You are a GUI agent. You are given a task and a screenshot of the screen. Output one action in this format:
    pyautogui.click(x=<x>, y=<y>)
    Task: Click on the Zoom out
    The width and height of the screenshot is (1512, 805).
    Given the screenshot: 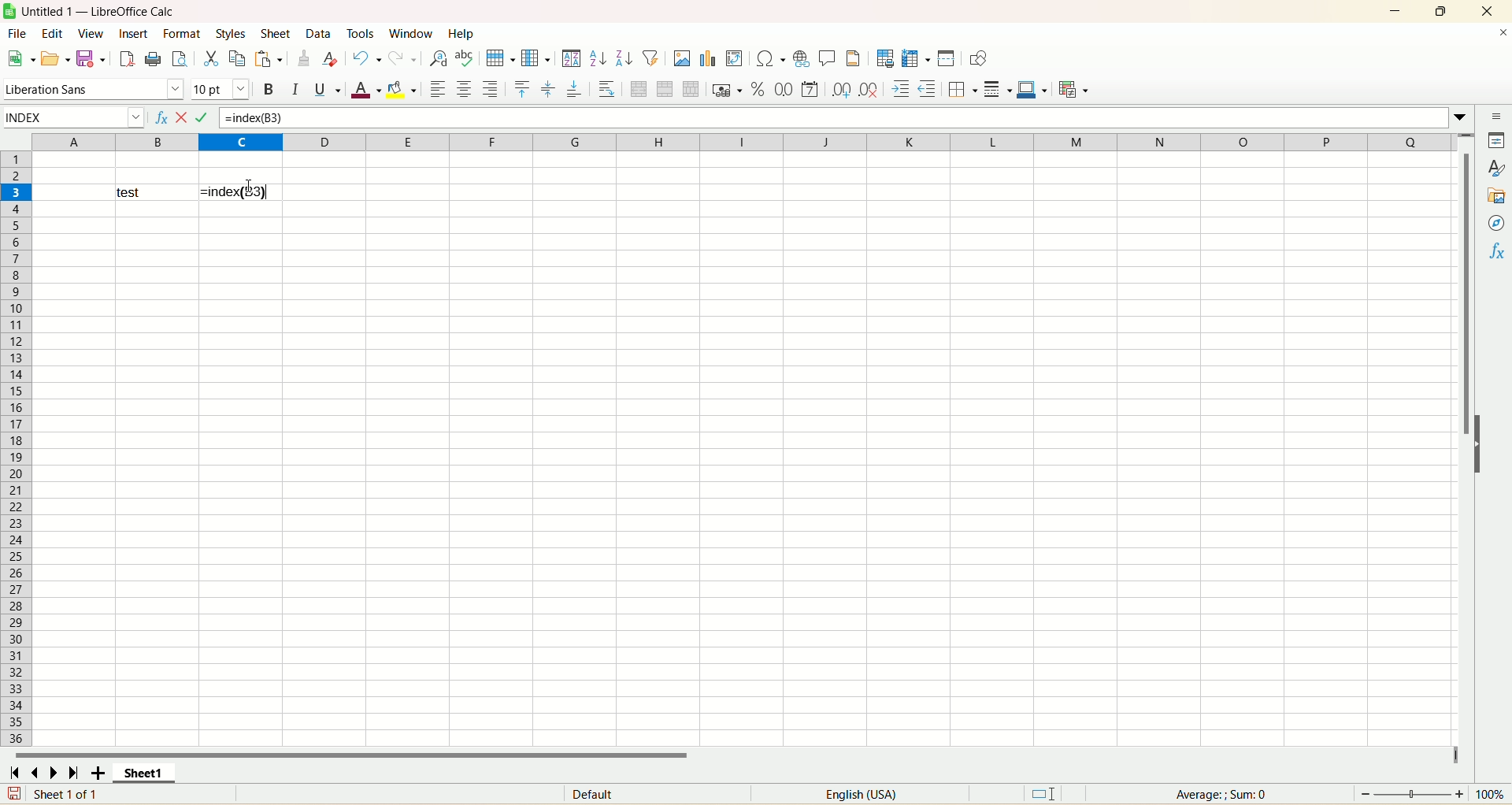 What is the action you would take?
    pyautogui.click(x=1366, y=794)
    